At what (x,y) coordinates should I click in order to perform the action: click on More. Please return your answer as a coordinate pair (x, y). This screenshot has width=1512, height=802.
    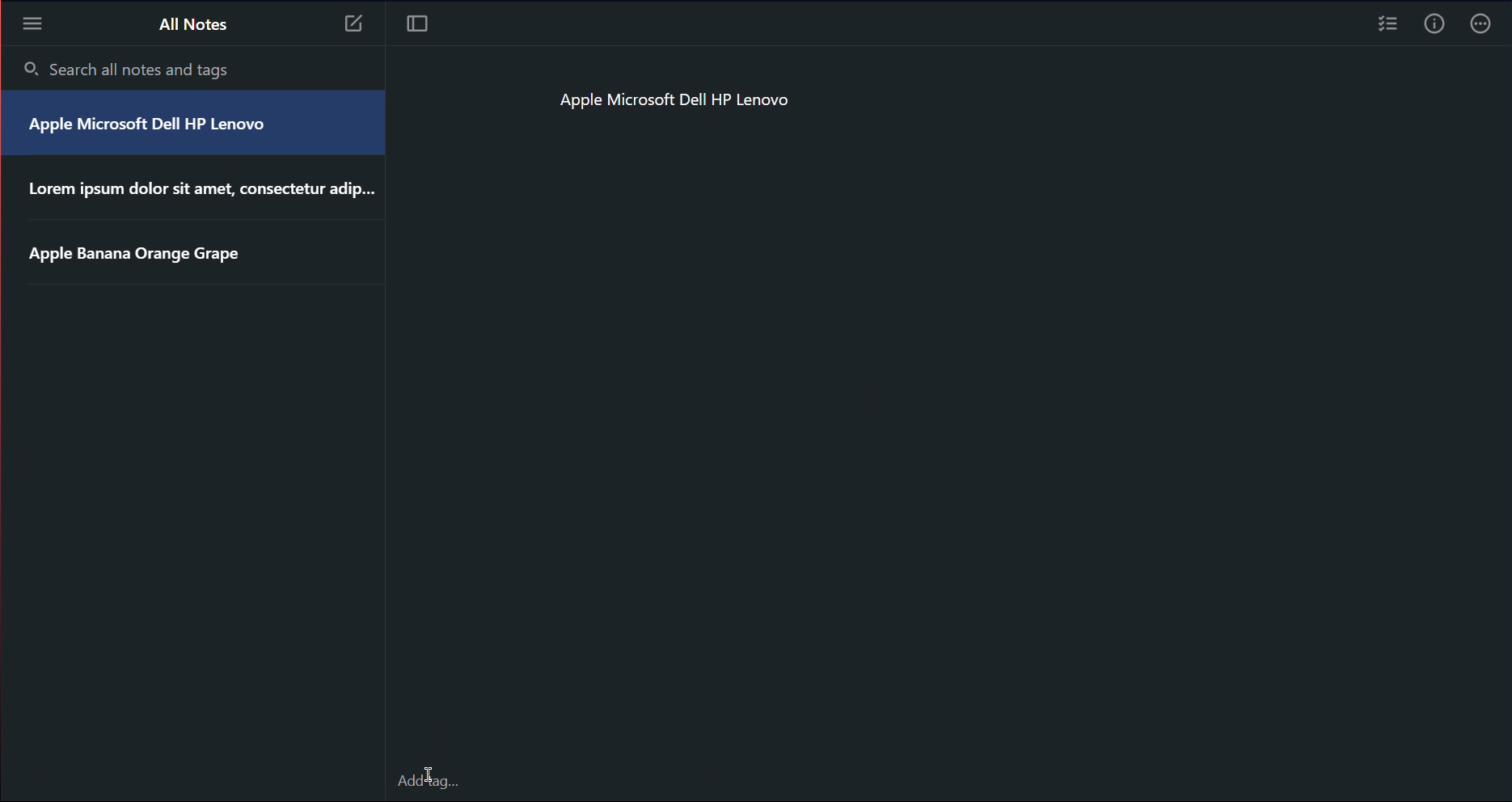
    Looking at the image, I should click on (1485, 27).